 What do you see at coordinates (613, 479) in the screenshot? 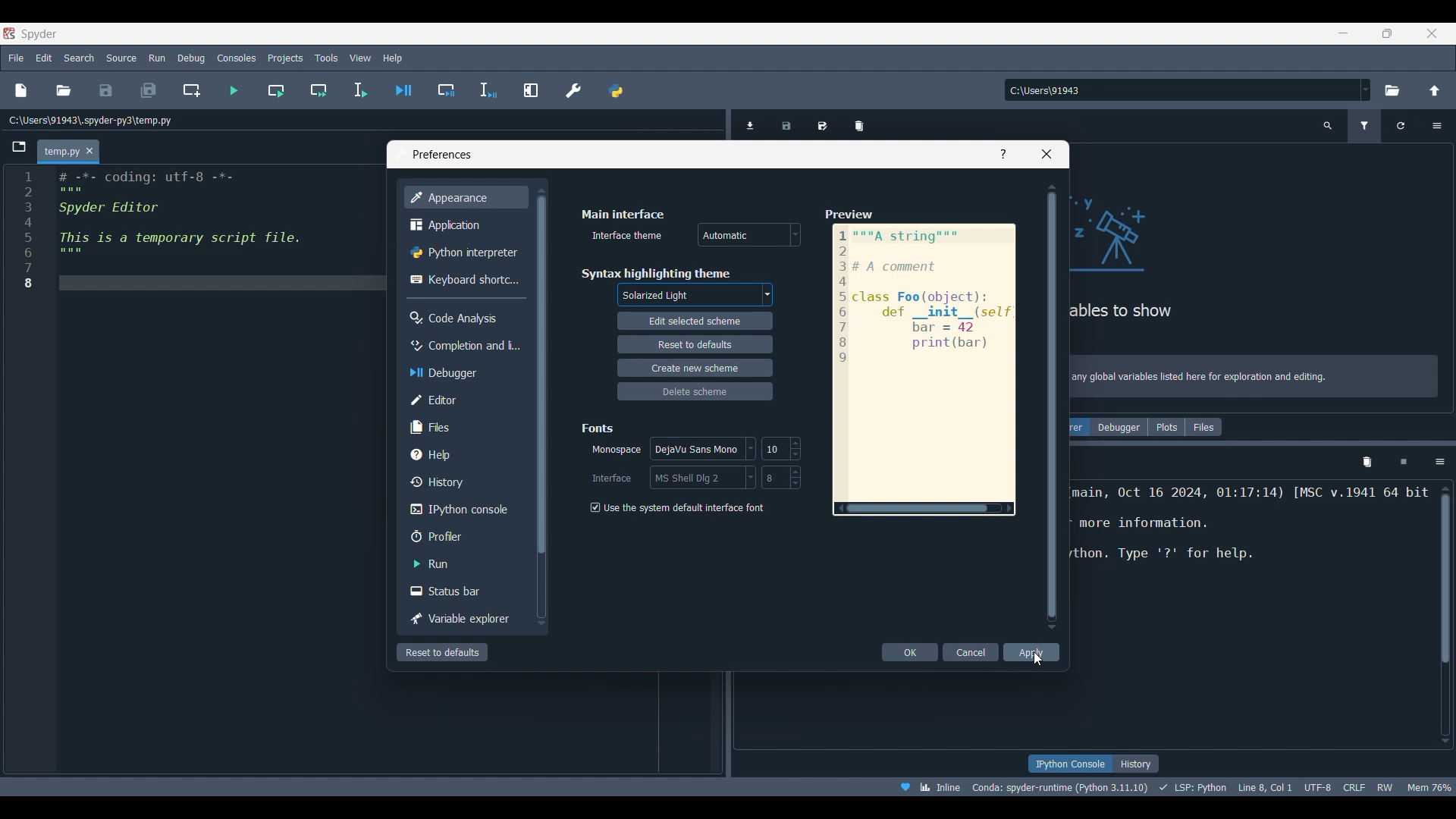
I see `Indicates interface settings` at bounding box center [613, 479].